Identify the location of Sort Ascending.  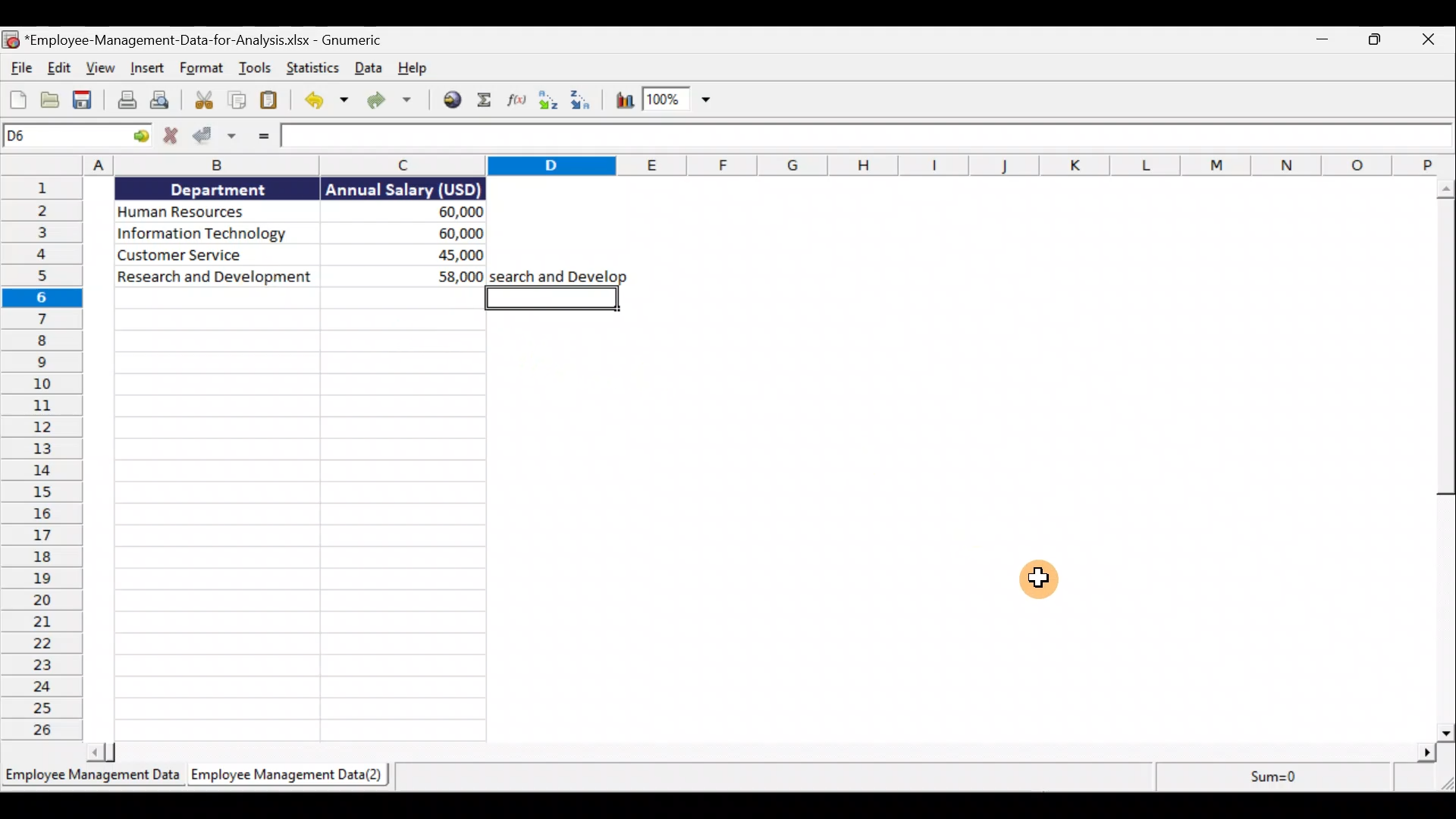
(549, 103).